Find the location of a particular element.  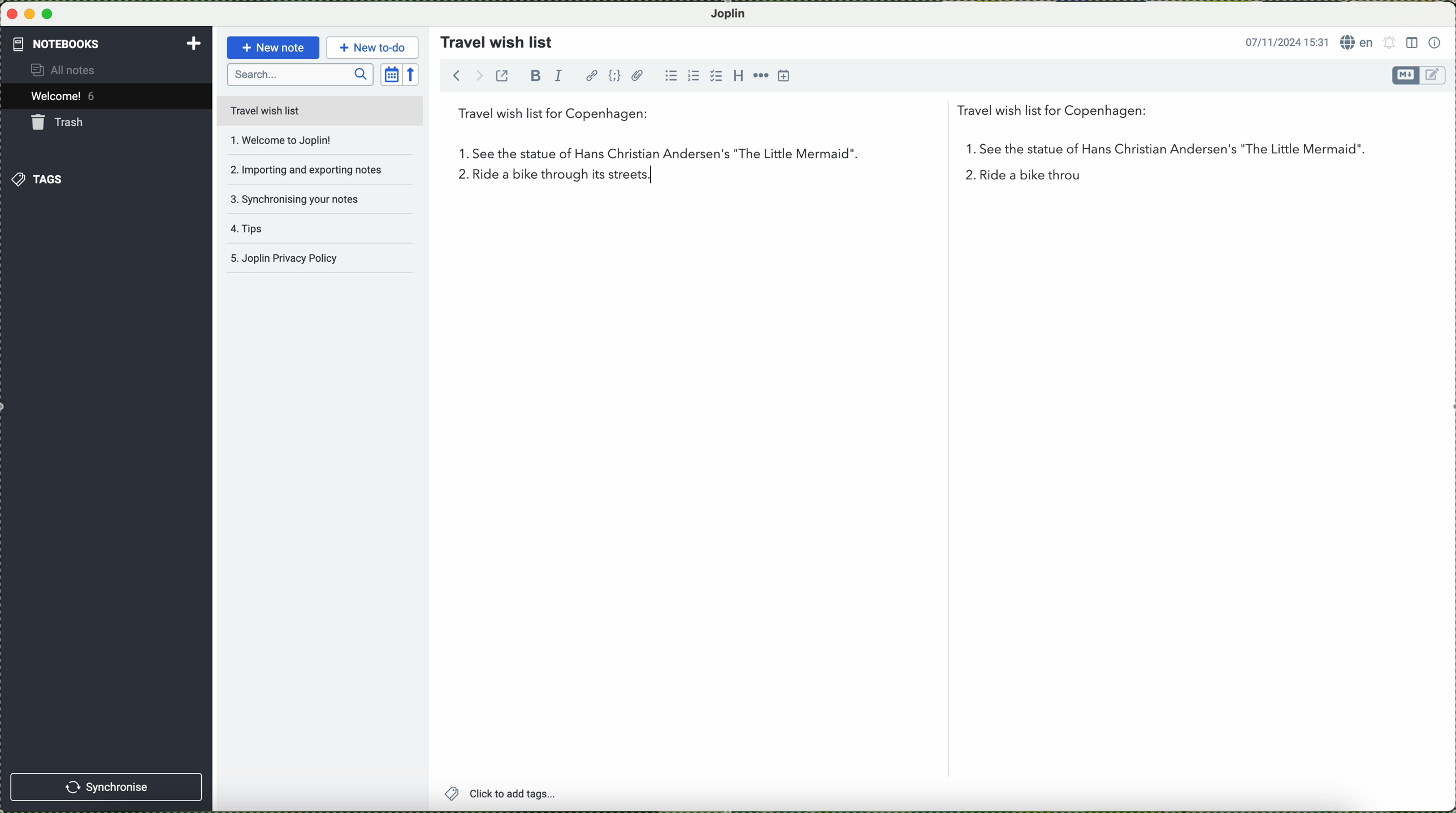

importing and exporting notes is located at coordinates (306, 168).